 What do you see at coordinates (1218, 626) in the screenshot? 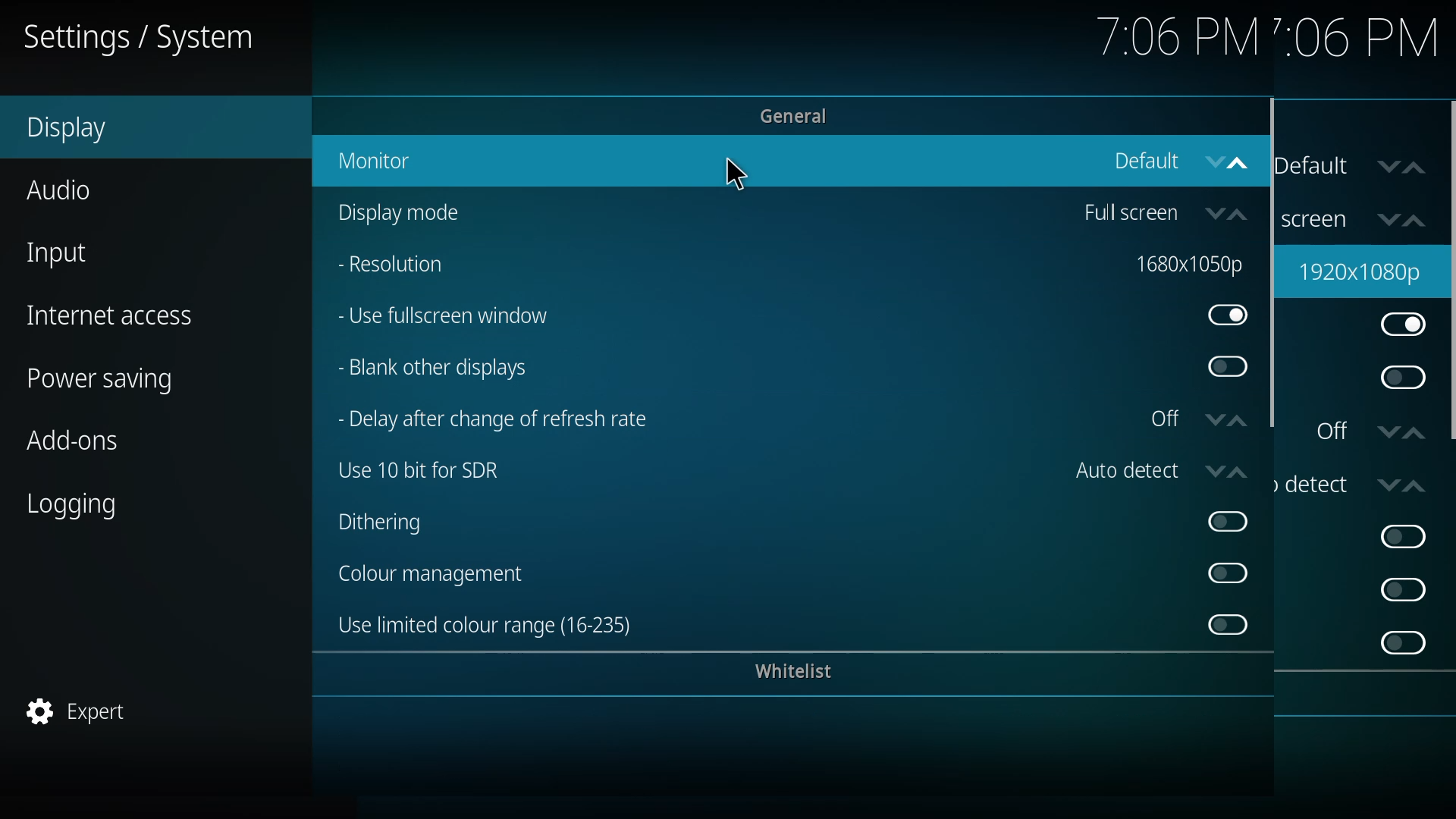
I see `disabled` at bounding box center [1218, 626].